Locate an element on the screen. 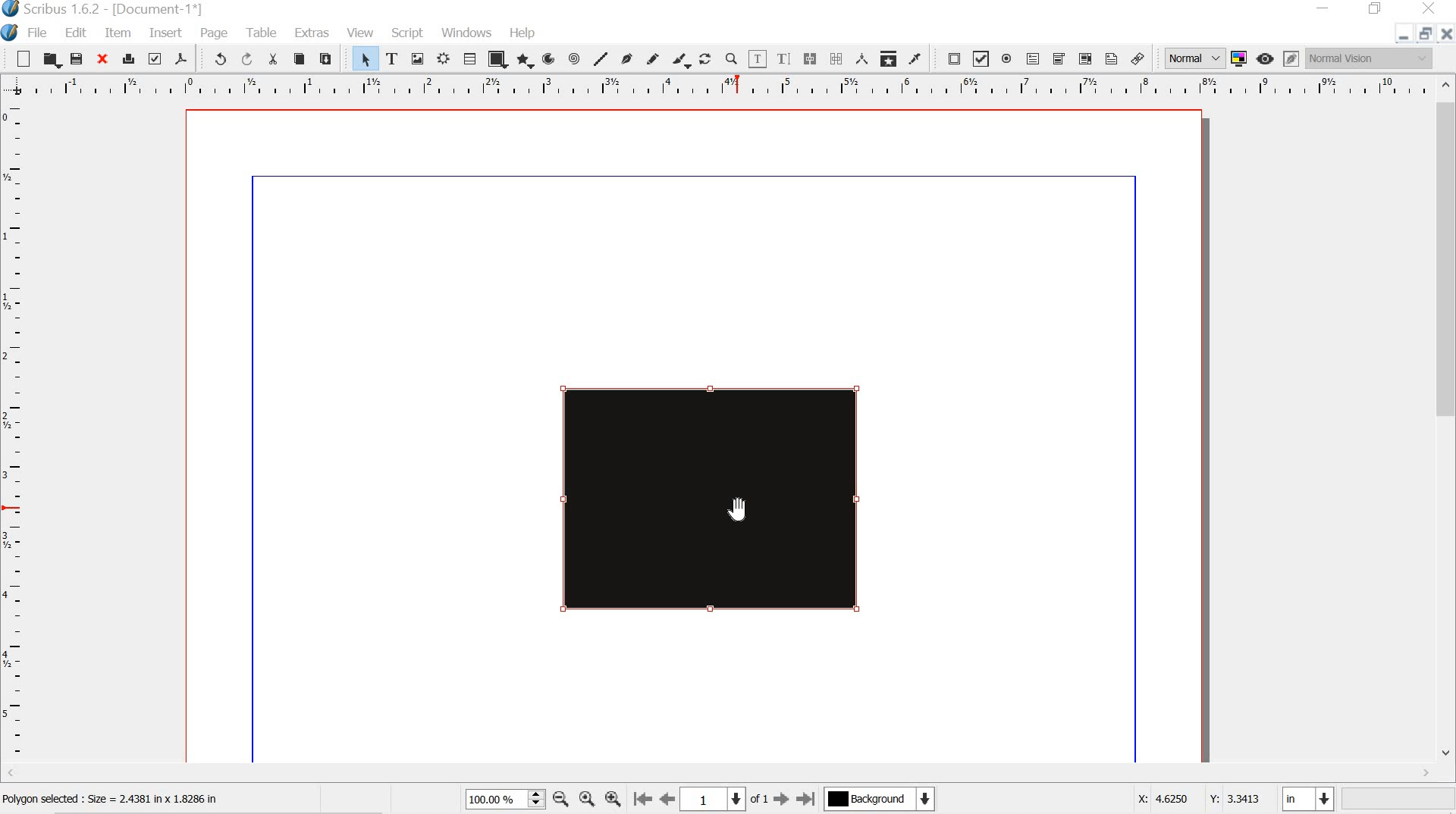 This screenshot has height=814, width=1456. normal is located at coordinates (1195, 58).